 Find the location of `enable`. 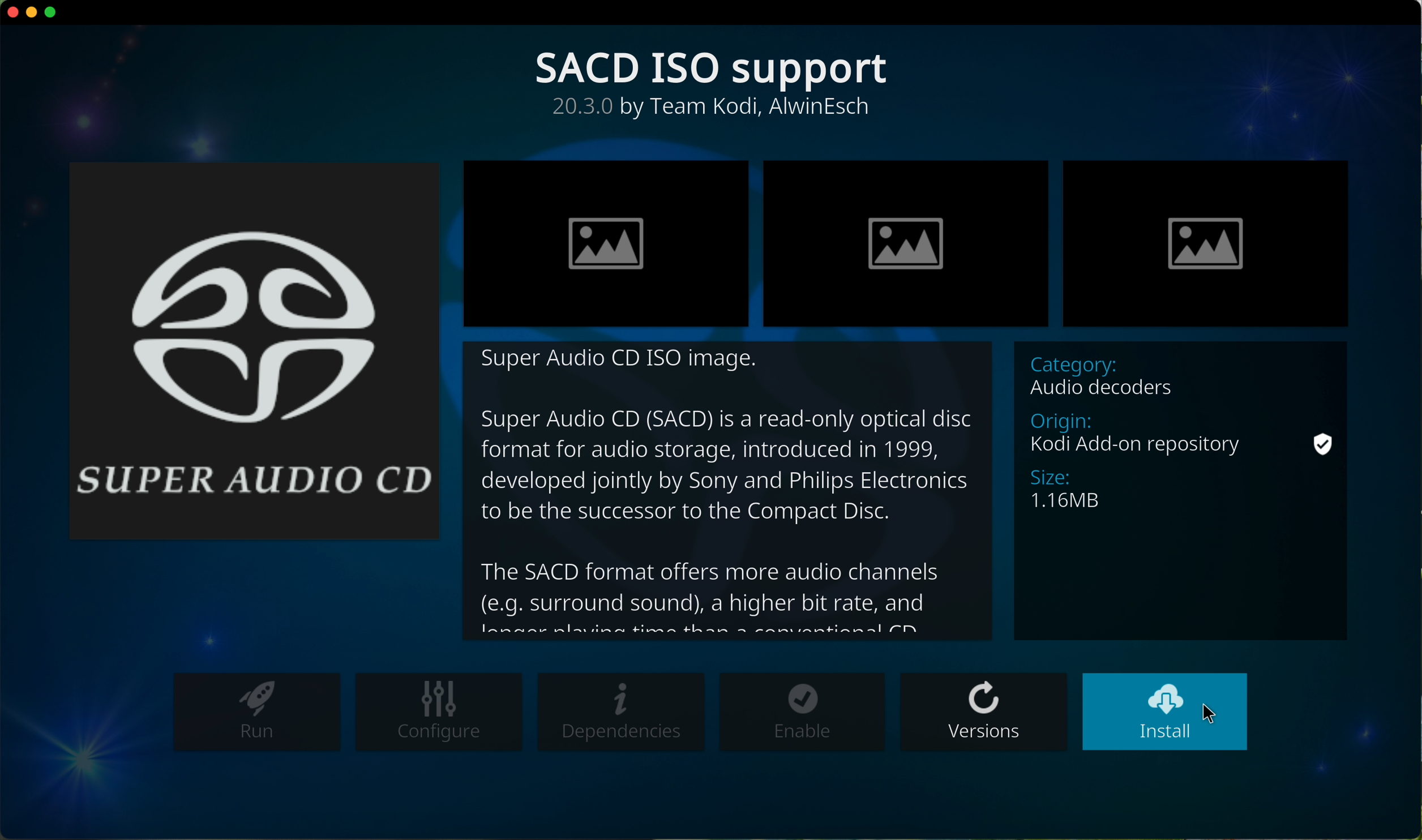

enable is located at coordinates (803, 713).